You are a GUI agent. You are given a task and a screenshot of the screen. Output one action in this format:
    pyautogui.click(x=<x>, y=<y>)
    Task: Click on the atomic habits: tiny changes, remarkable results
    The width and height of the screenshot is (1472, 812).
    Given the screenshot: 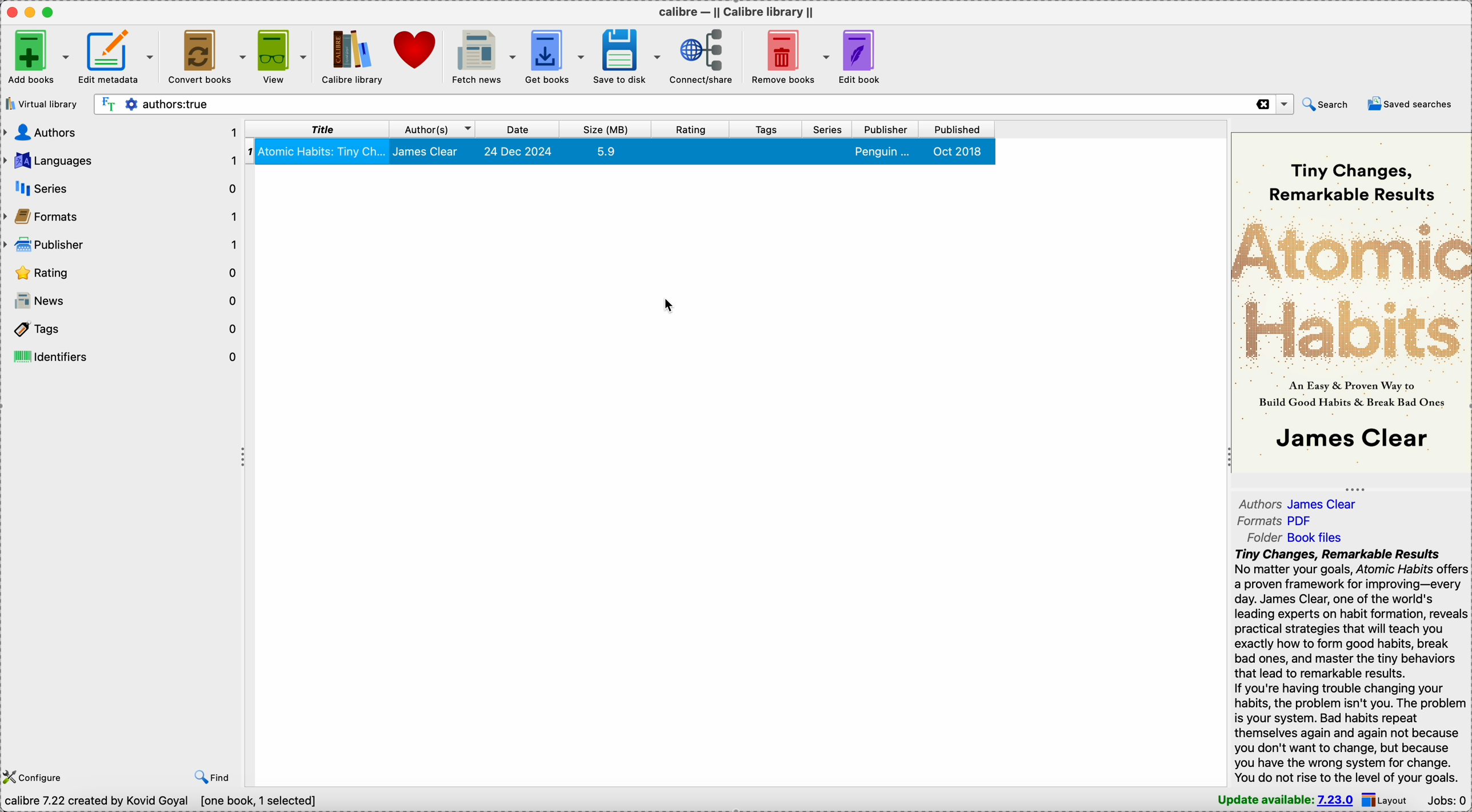 What is the action you would take?
    pyautogui.click(x=323, y=152)
    